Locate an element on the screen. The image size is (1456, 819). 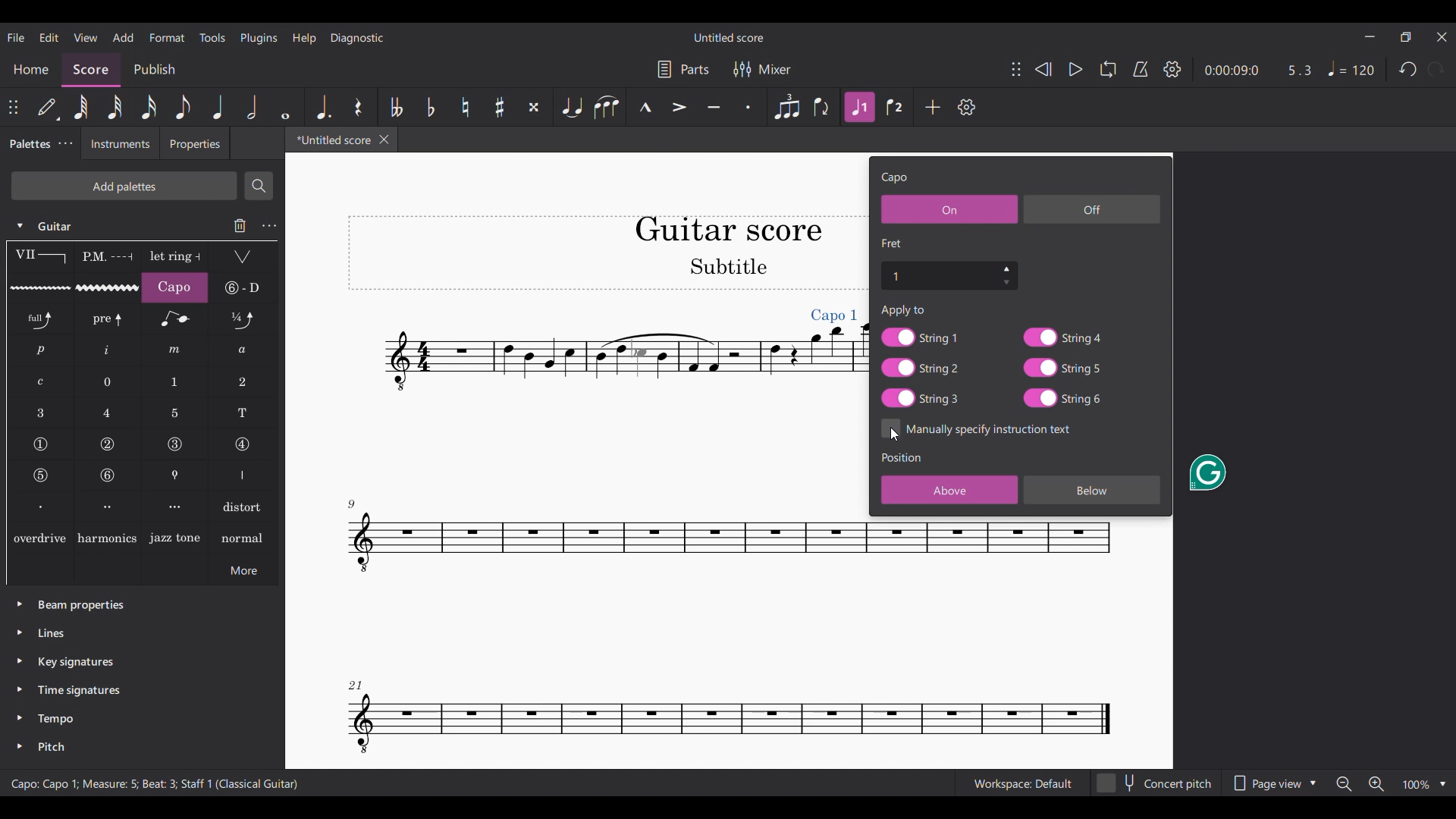
16th note is located at coordinates (149, 107).